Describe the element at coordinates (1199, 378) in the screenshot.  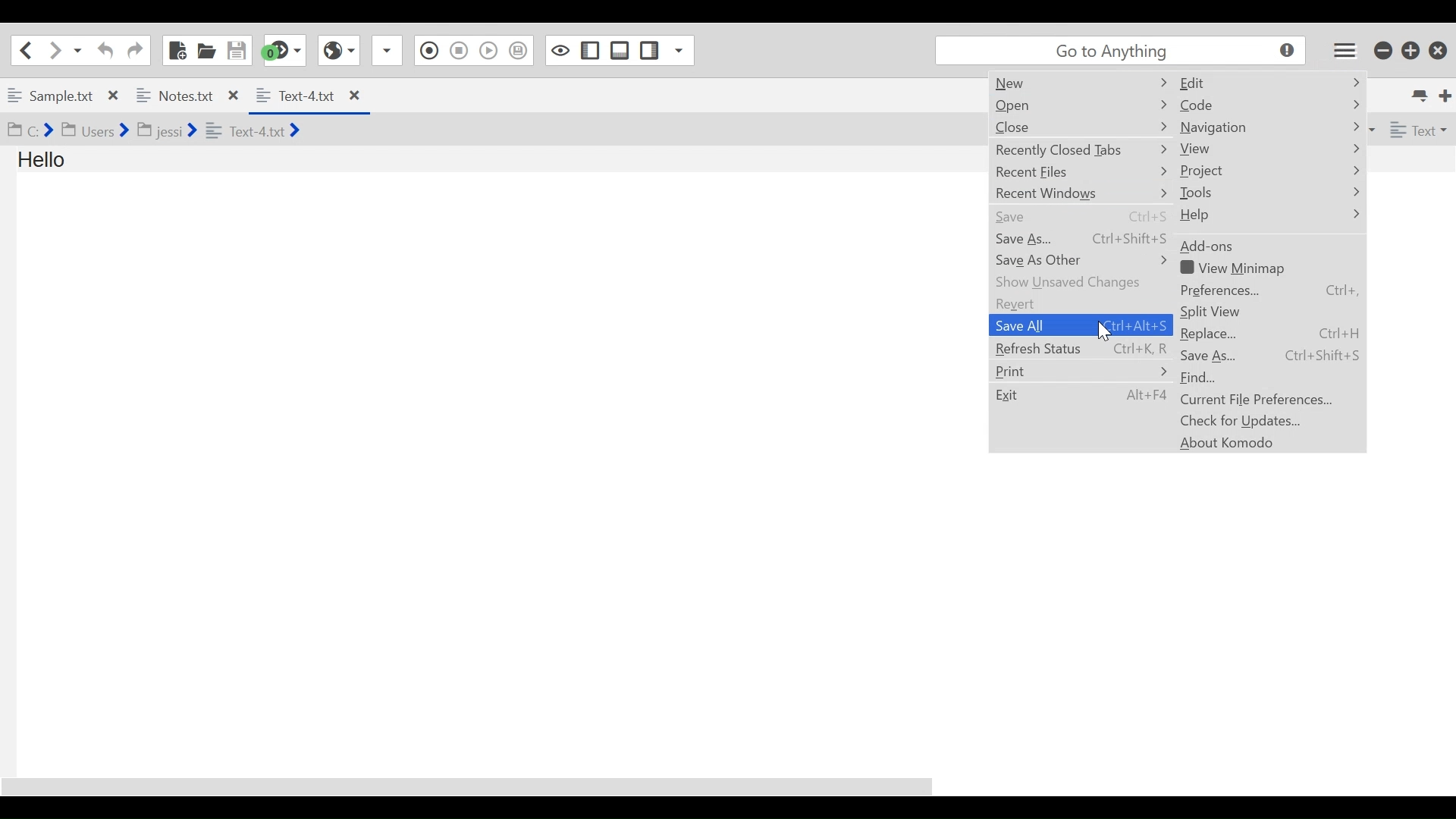
I see `Find` at that location.